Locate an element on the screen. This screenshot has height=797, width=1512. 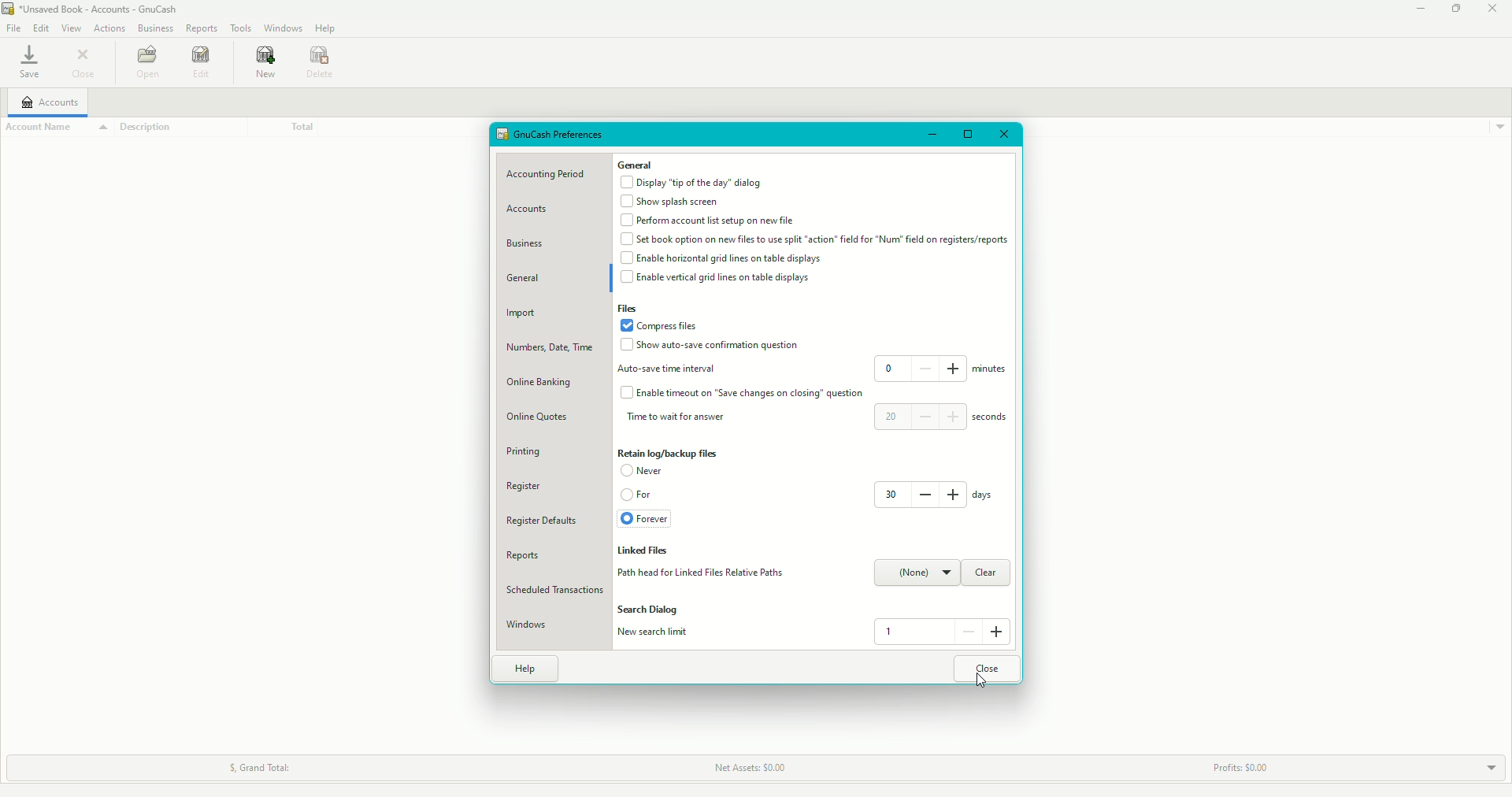
Enable vertical grid is located at coordinates (721, 278).